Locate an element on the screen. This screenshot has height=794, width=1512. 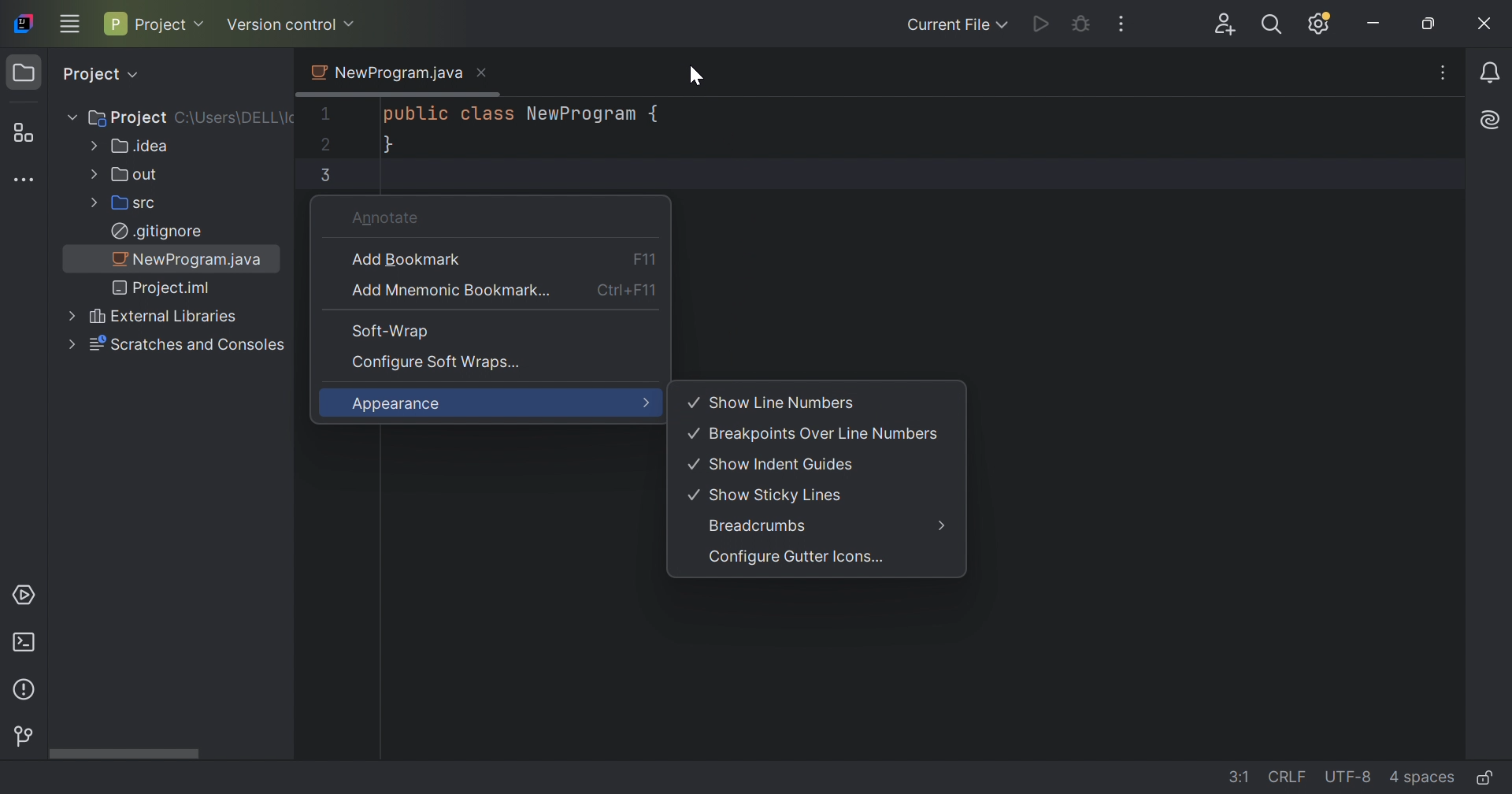
F11 is located at coordinates (643, 258).